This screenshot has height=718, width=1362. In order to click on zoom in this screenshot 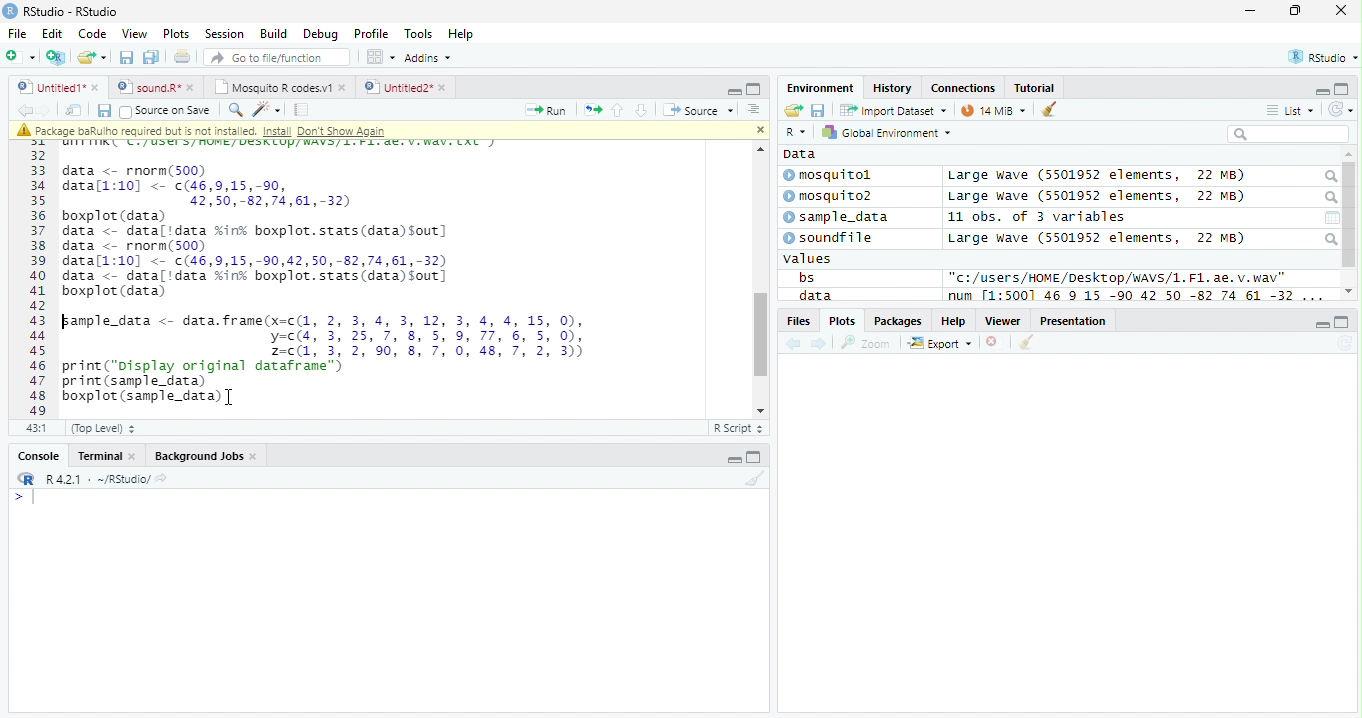, I will do `click(866, 342)`.